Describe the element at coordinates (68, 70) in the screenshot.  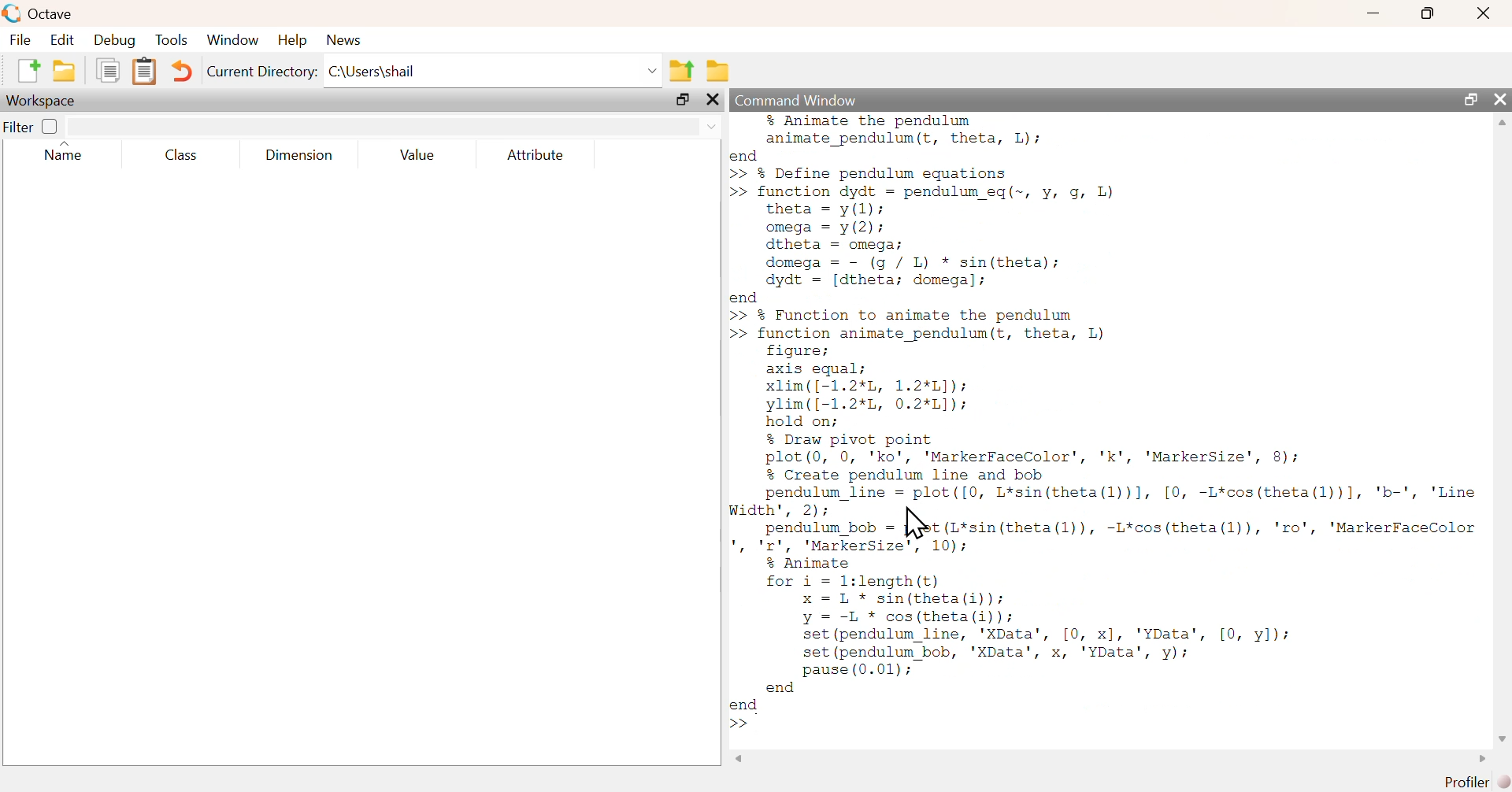
I see `open an existing file in directory` at that location.